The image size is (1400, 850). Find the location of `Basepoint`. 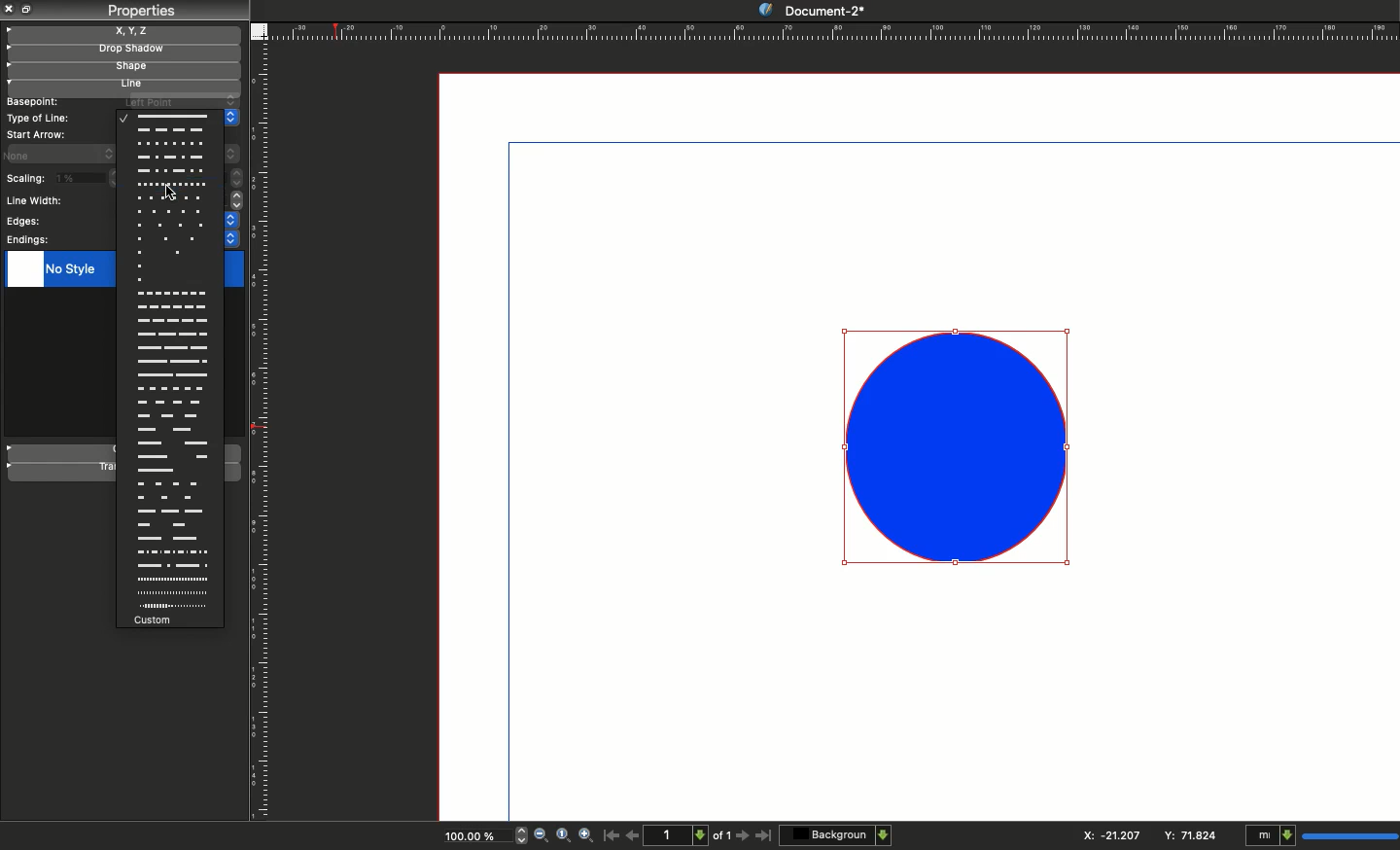

Basepoint is located at coordinates (32, 102).